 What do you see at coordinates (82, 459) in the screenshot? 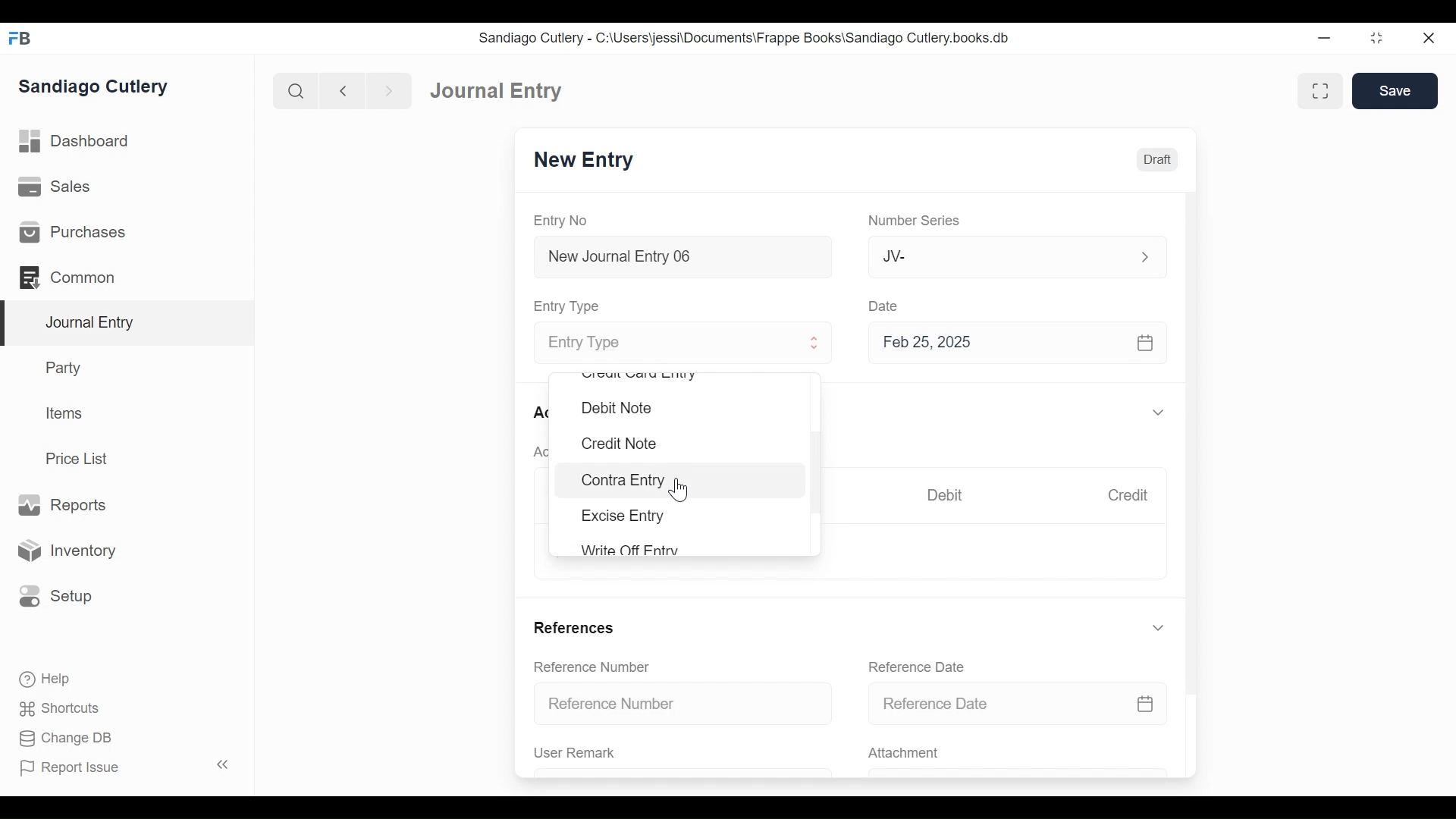
I see `Price List` at bounding box center [82, 459].